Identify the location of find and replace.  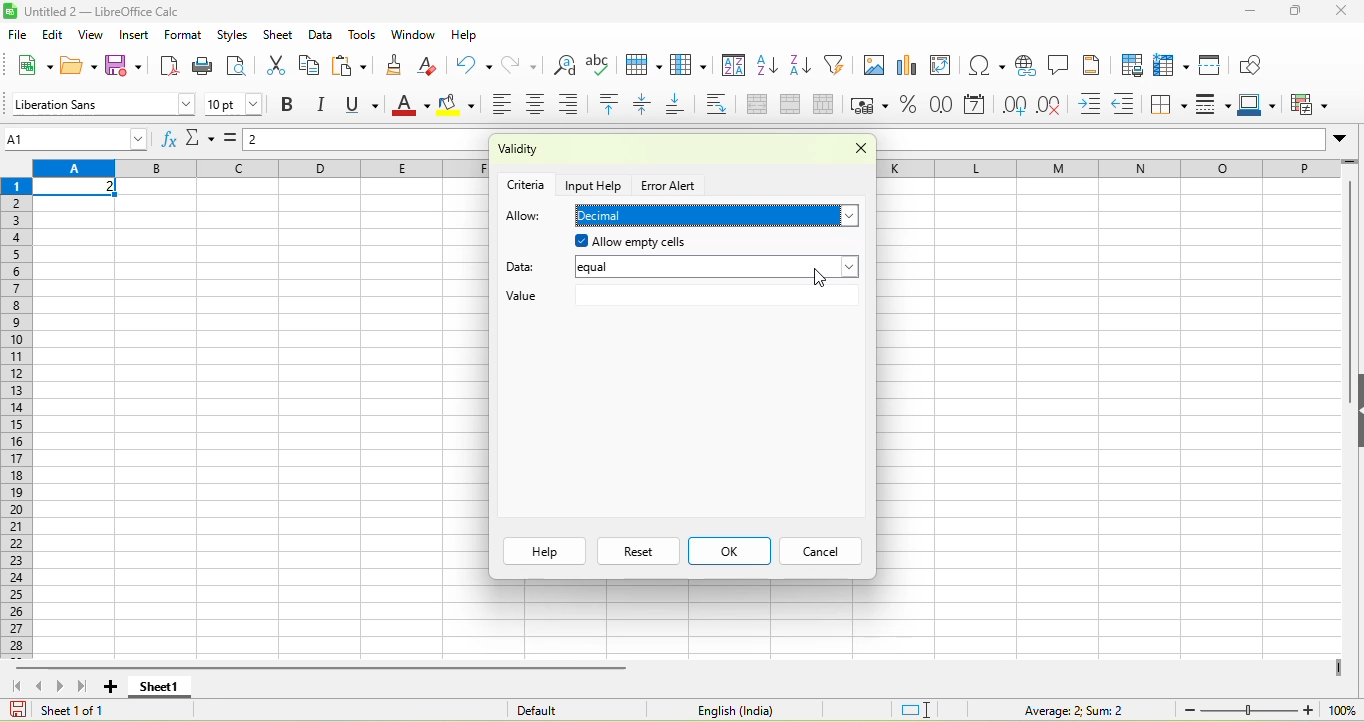
(565, 64).